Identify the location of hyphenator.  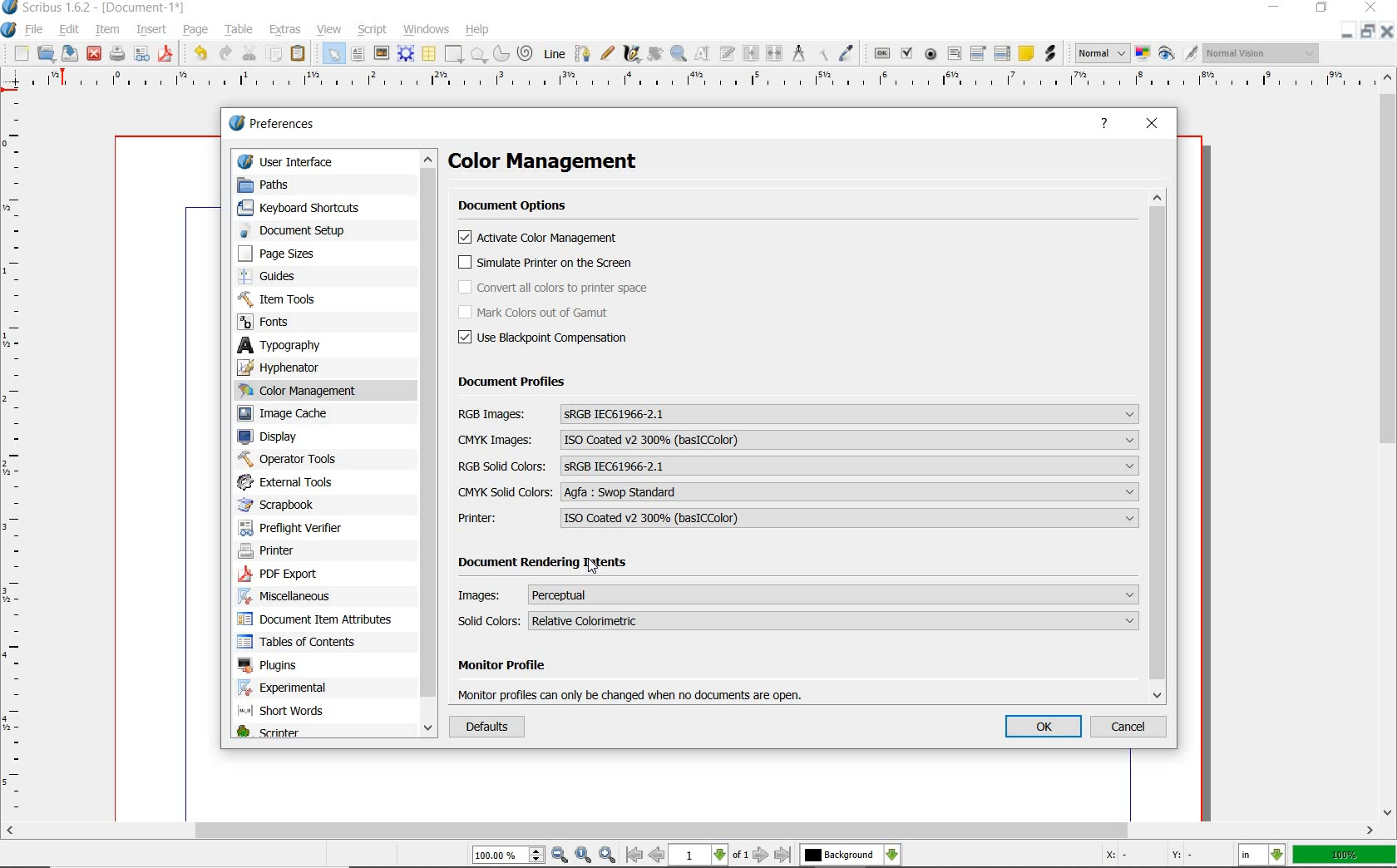
(304, 367).